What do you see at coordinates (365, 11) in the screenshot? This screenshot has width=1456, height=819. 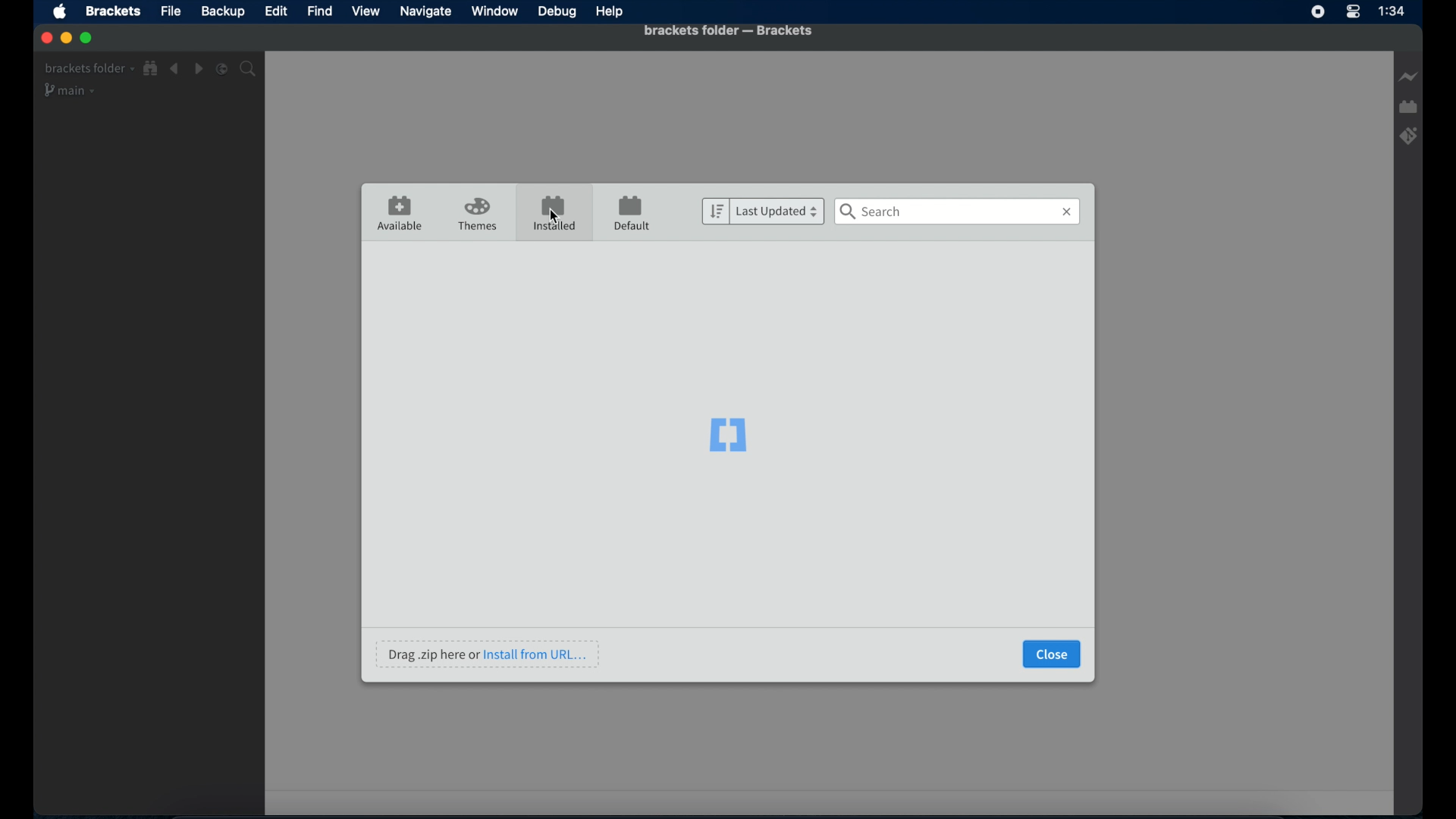 I see `View` at bounding box center [365, 11].